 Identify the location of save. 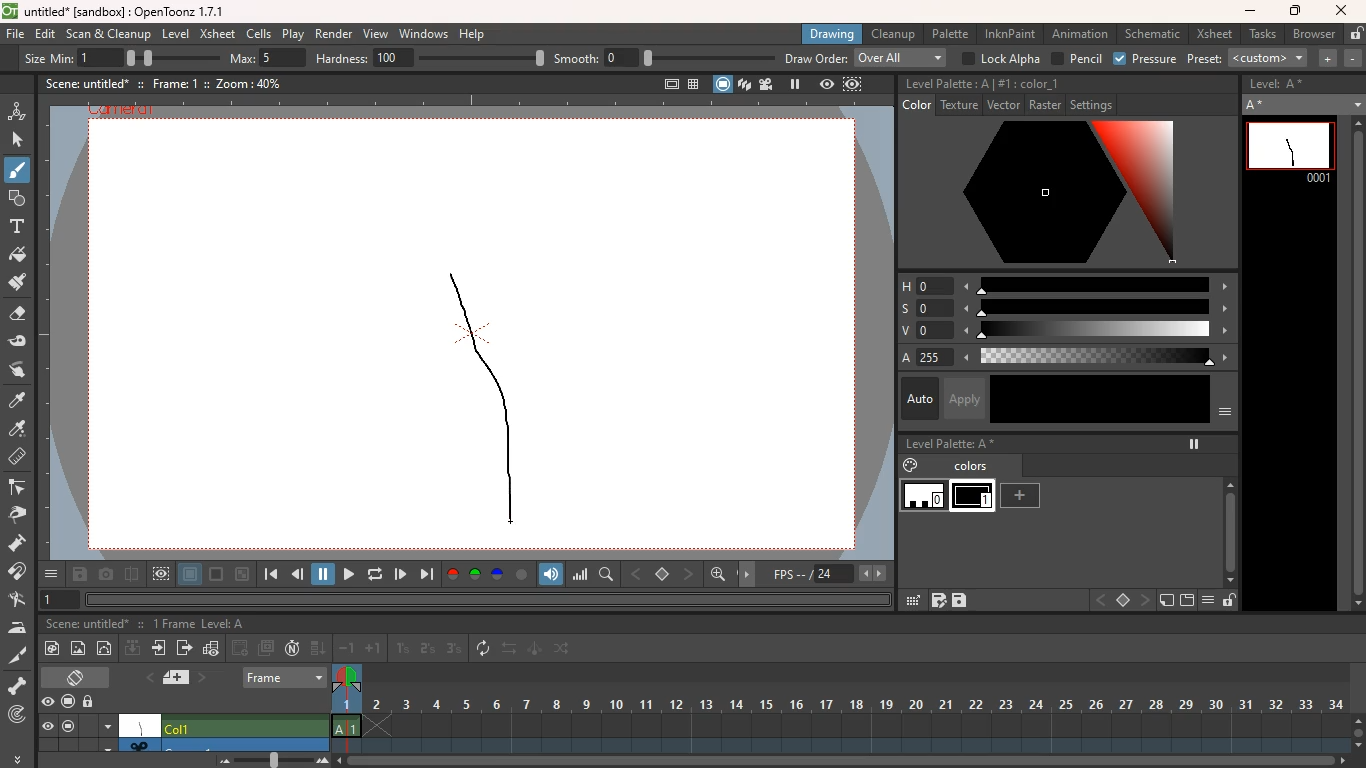
(79, 576).